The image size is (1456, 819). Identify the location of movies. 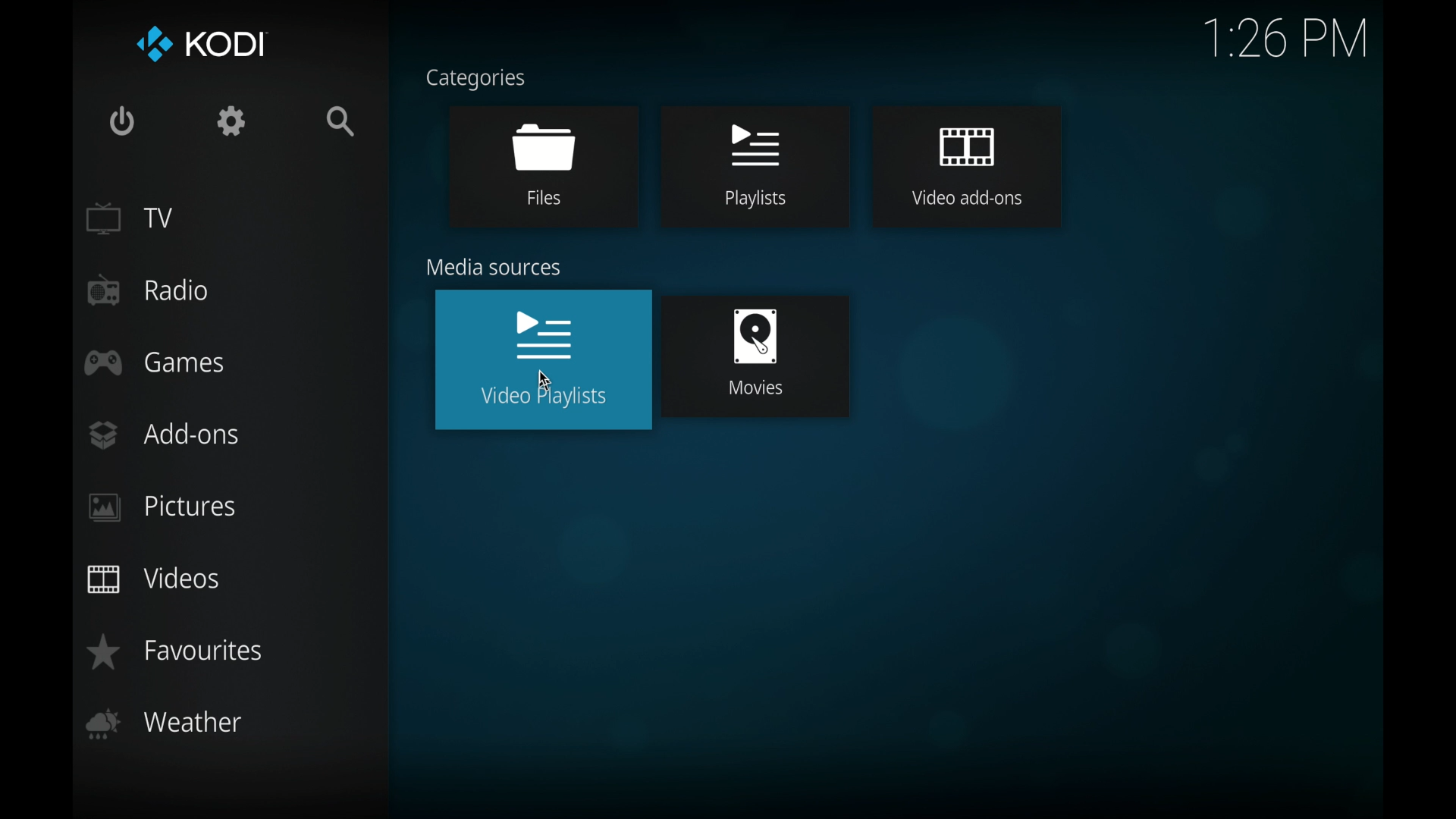
(755, 358).